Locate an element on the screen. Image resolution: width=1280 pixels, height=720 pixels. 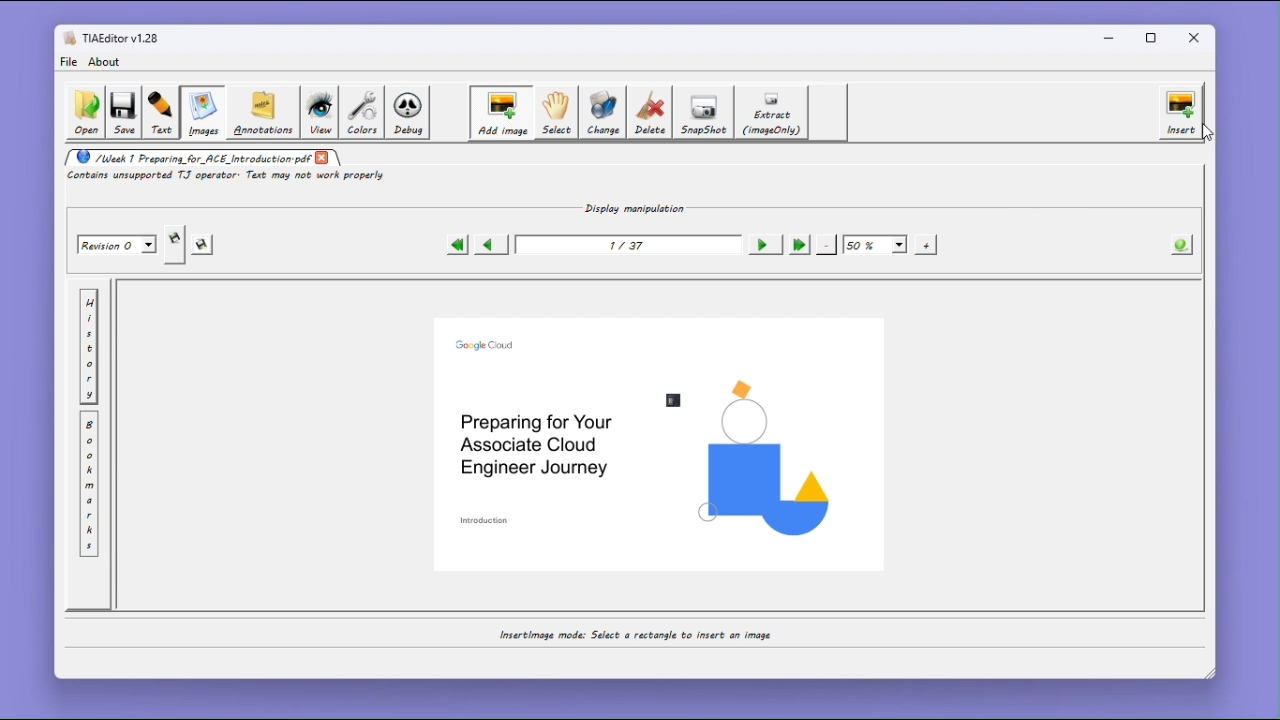
Save a copy is located at coordinates (175, 245).